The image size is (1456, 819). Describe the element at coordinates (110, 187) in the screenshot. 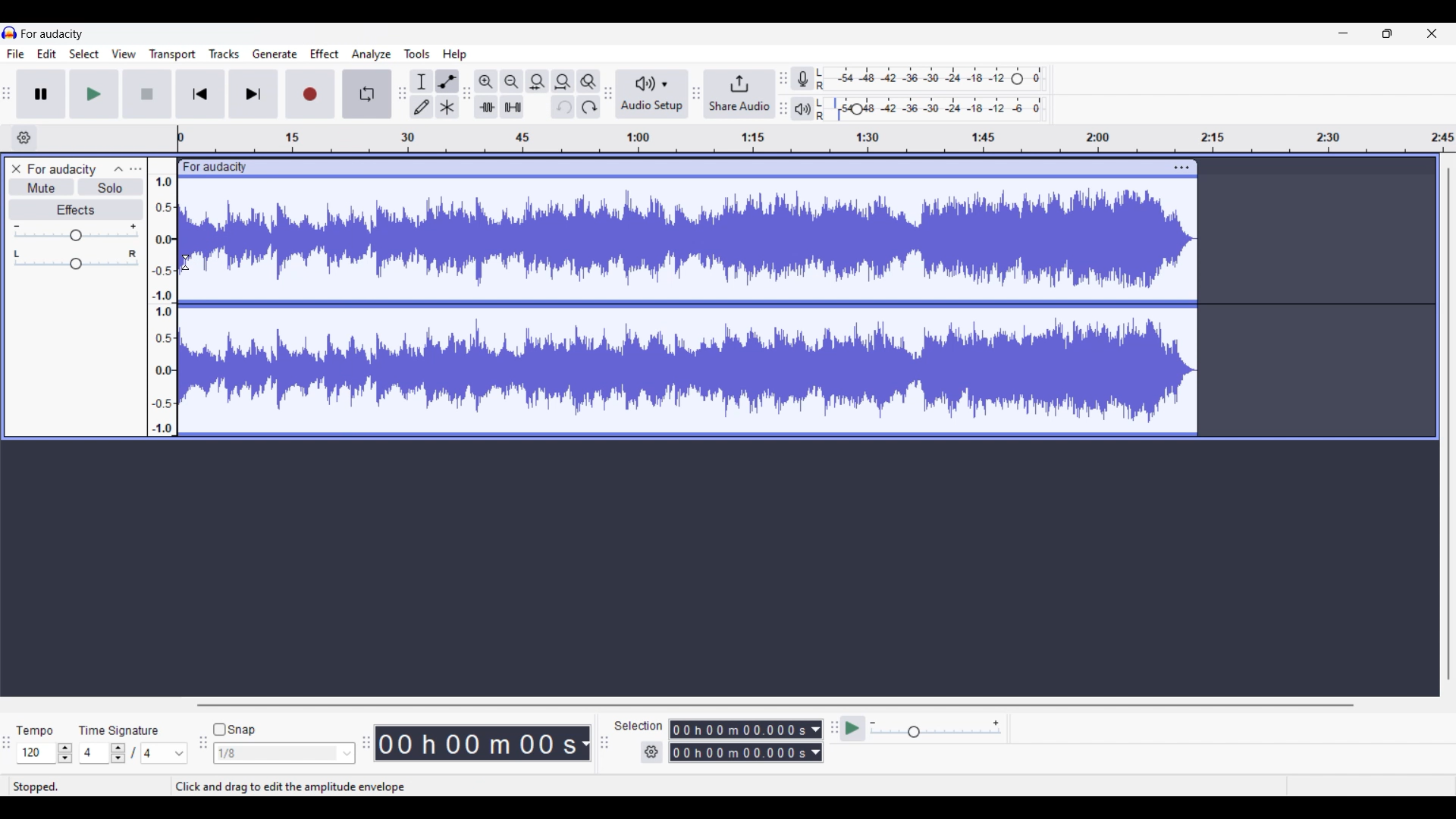

I see `Solo` at that location.